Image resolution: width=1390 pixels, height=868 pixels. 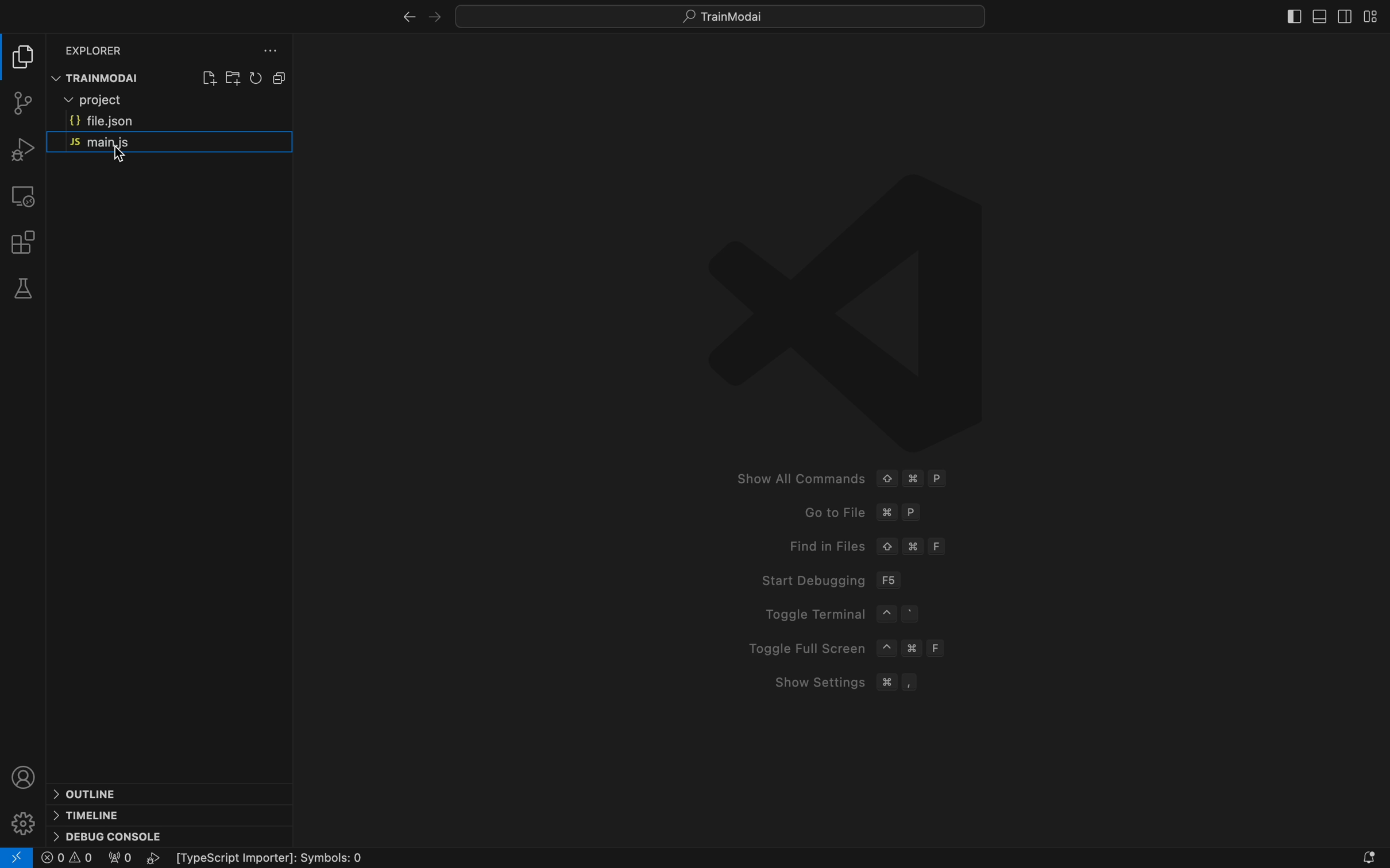 I want to click on trainMQDAI, so click(x=110, y=80).